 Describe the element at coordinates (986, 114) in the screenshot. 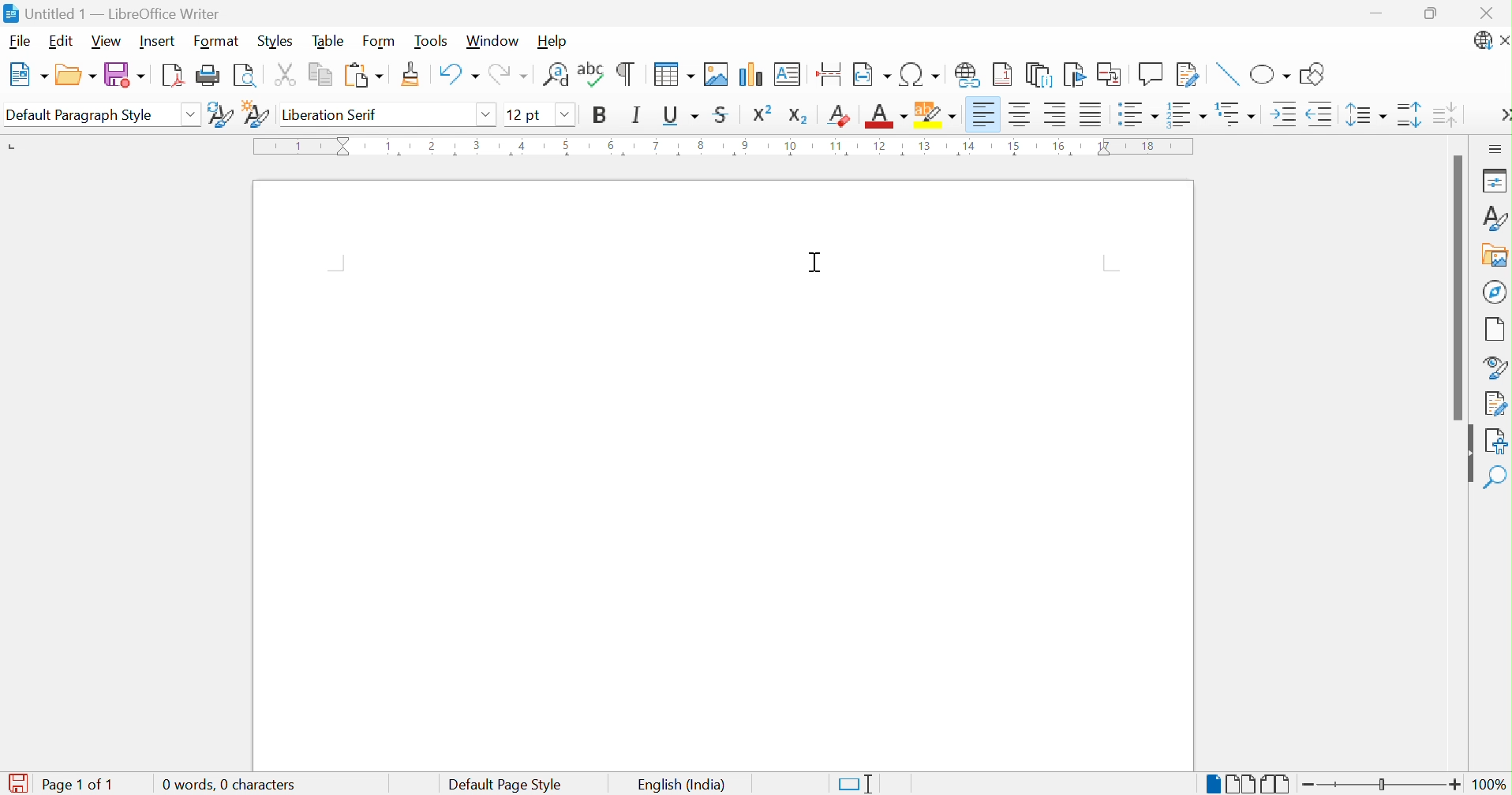

I see `Align left` at that location.